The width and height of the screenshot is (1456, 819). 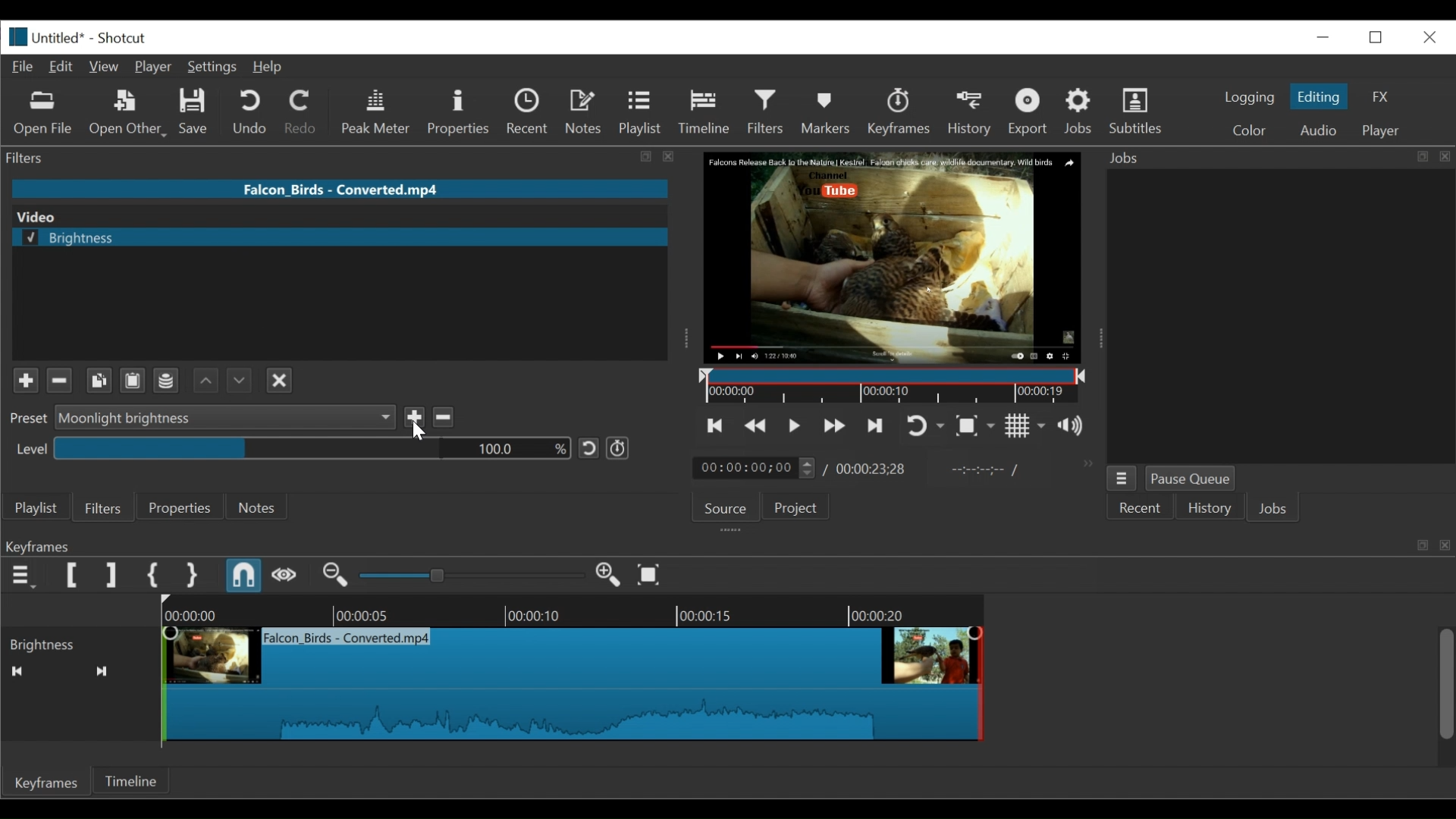 I want to click on Filters, so click(x=766, y=114).